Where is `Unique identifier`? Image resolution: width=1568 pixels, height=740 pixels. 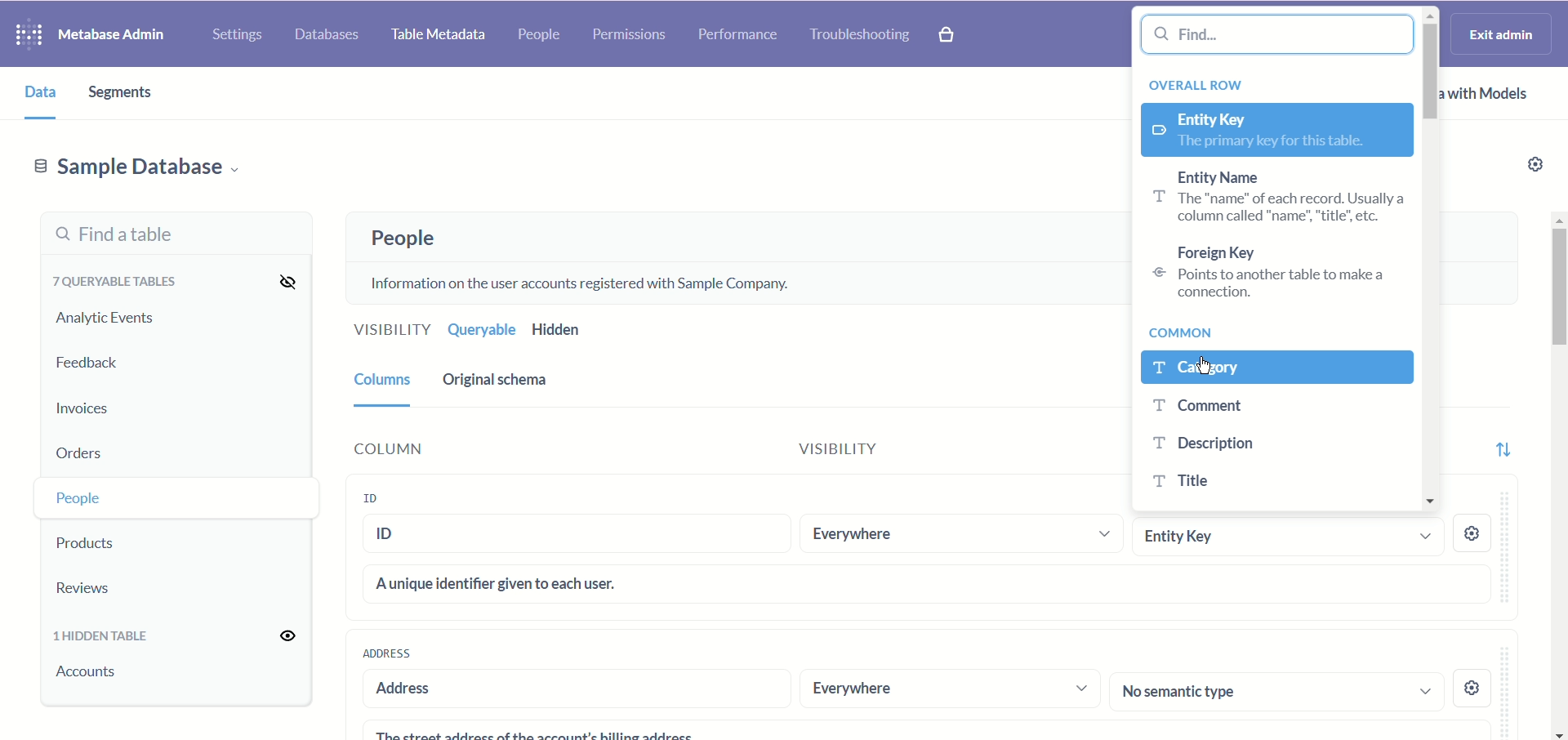
Unique identifier is located at coordinates (928, 583).